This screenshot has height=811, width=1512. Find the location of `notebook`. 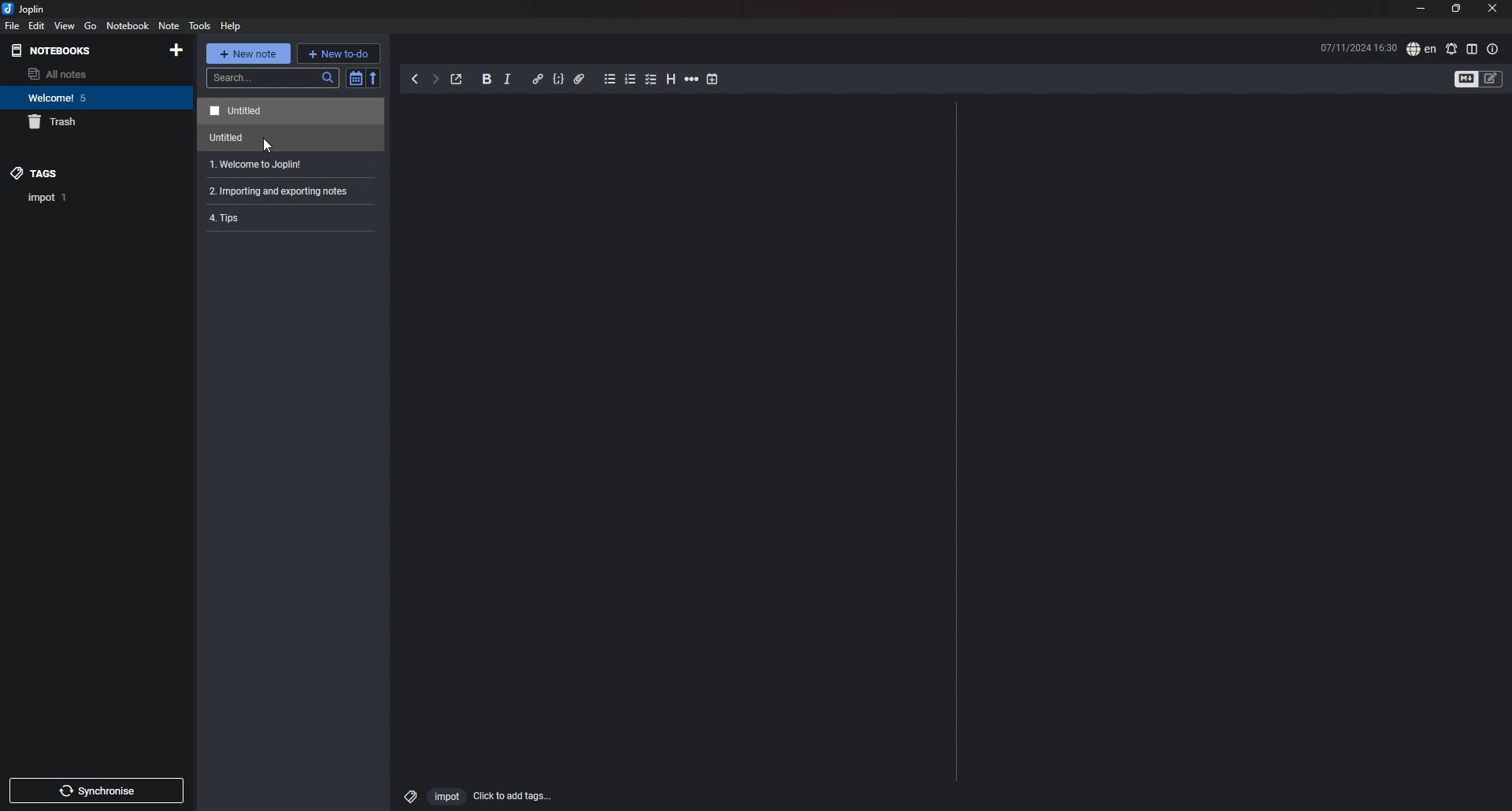

notebook is located at coordinates (128, 26).